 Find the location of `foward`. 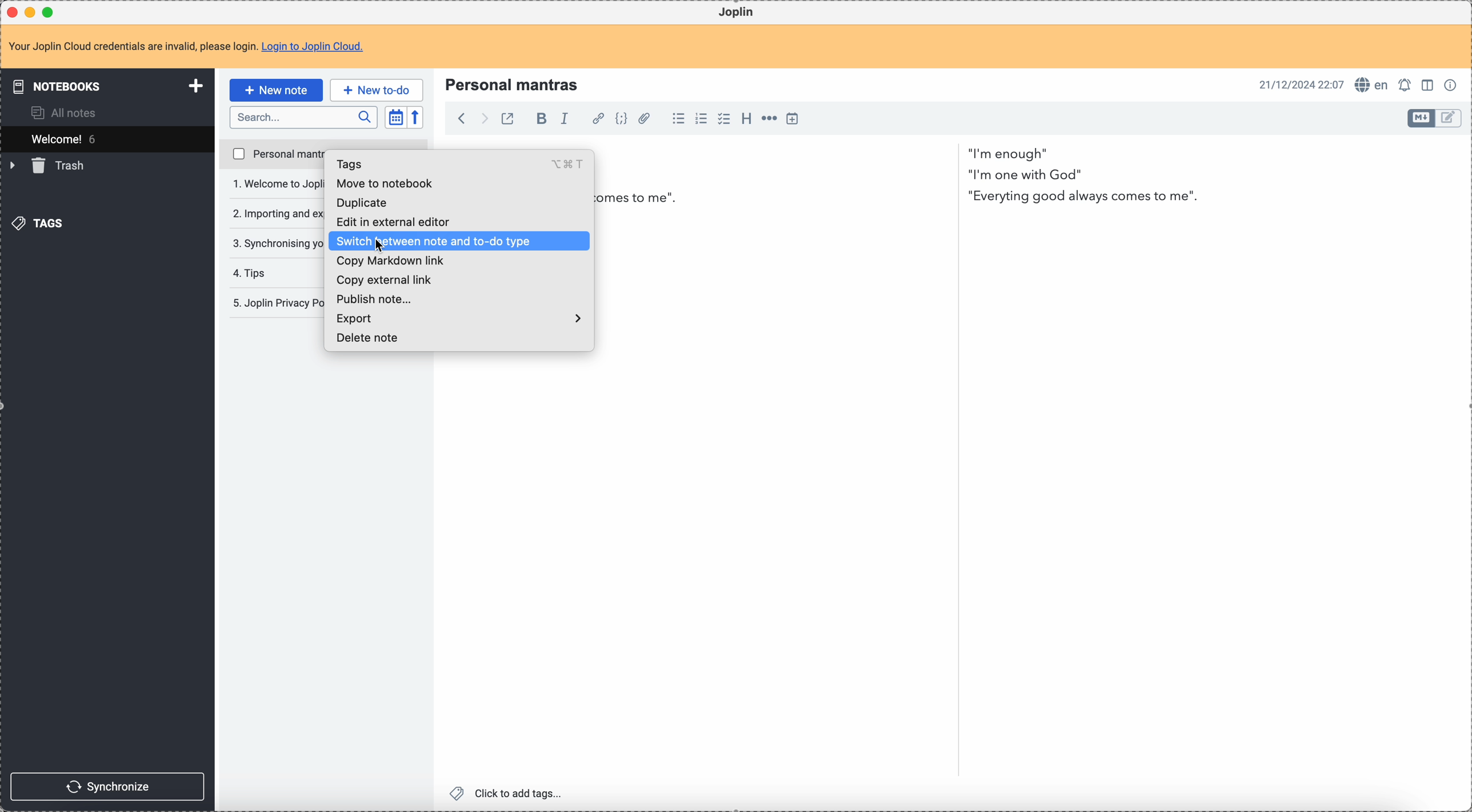

foward is located at coordinates (483, 119).